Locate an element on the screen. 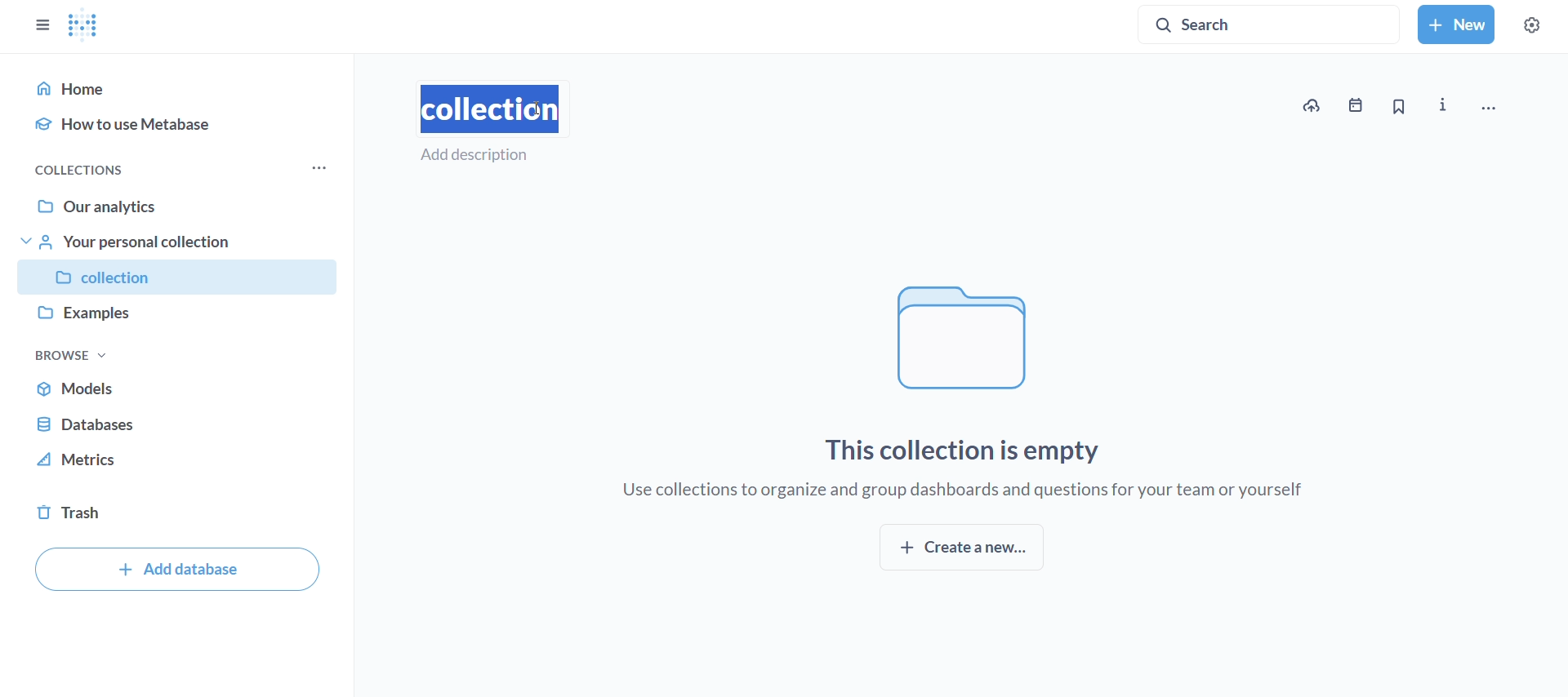 The width and height of the screenshot is (1568, 697). upload data to new collection  is located at coordinates (1311, 106).